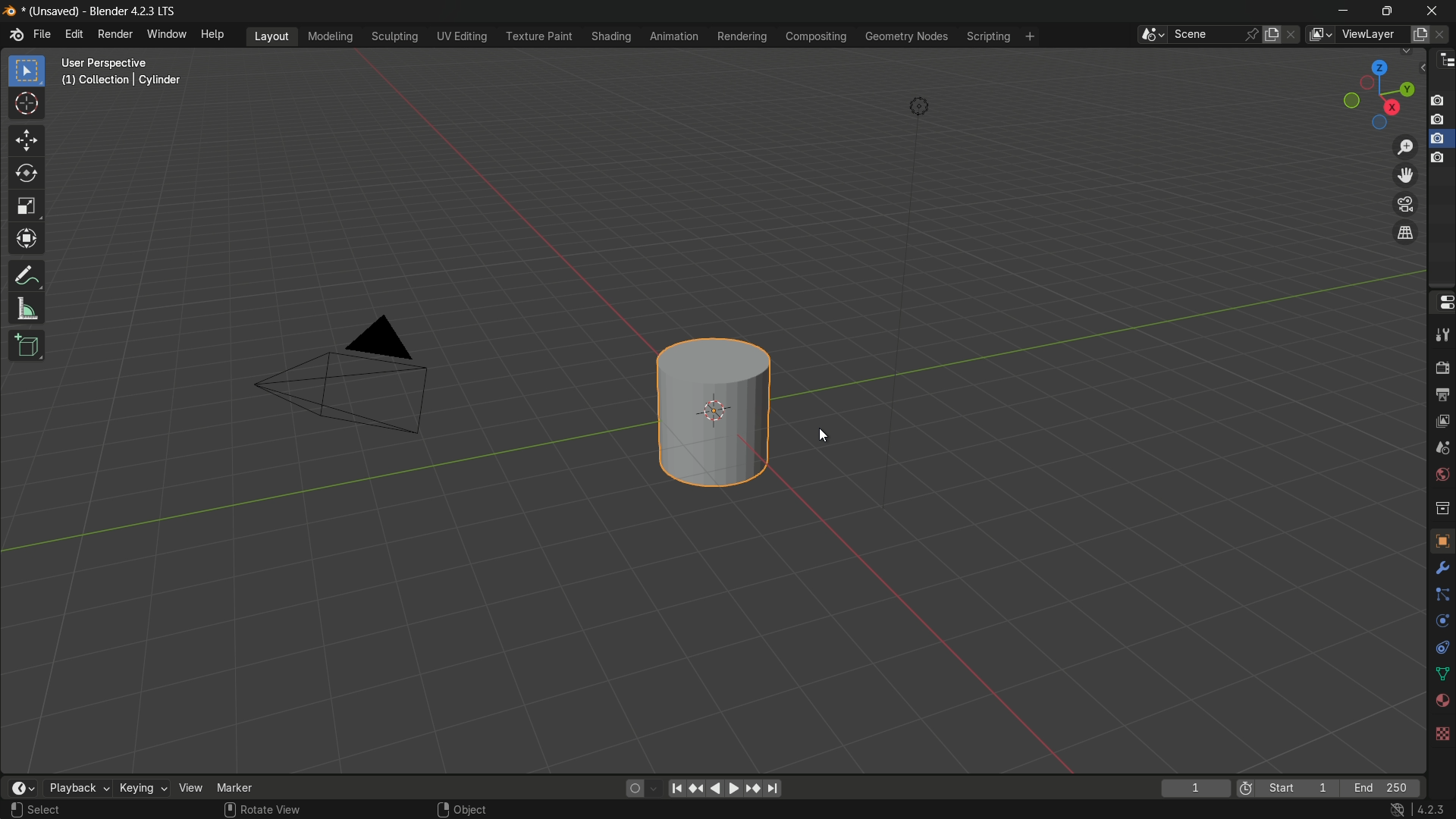  I want to click on keying, so click(143, 788).